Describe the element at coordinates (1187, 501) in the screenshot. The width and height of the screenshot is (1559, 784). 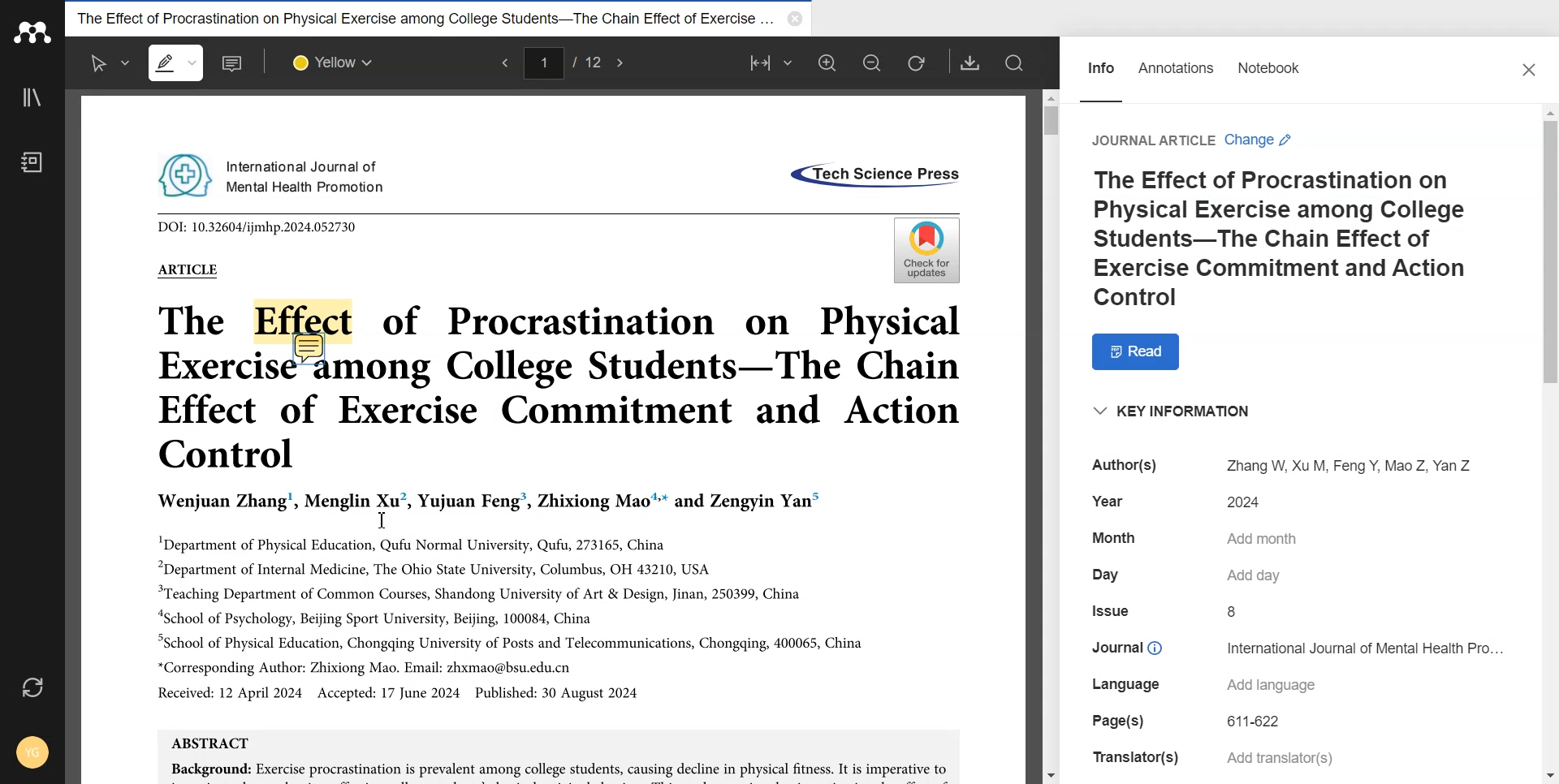
I see `Year 2024` at that location.